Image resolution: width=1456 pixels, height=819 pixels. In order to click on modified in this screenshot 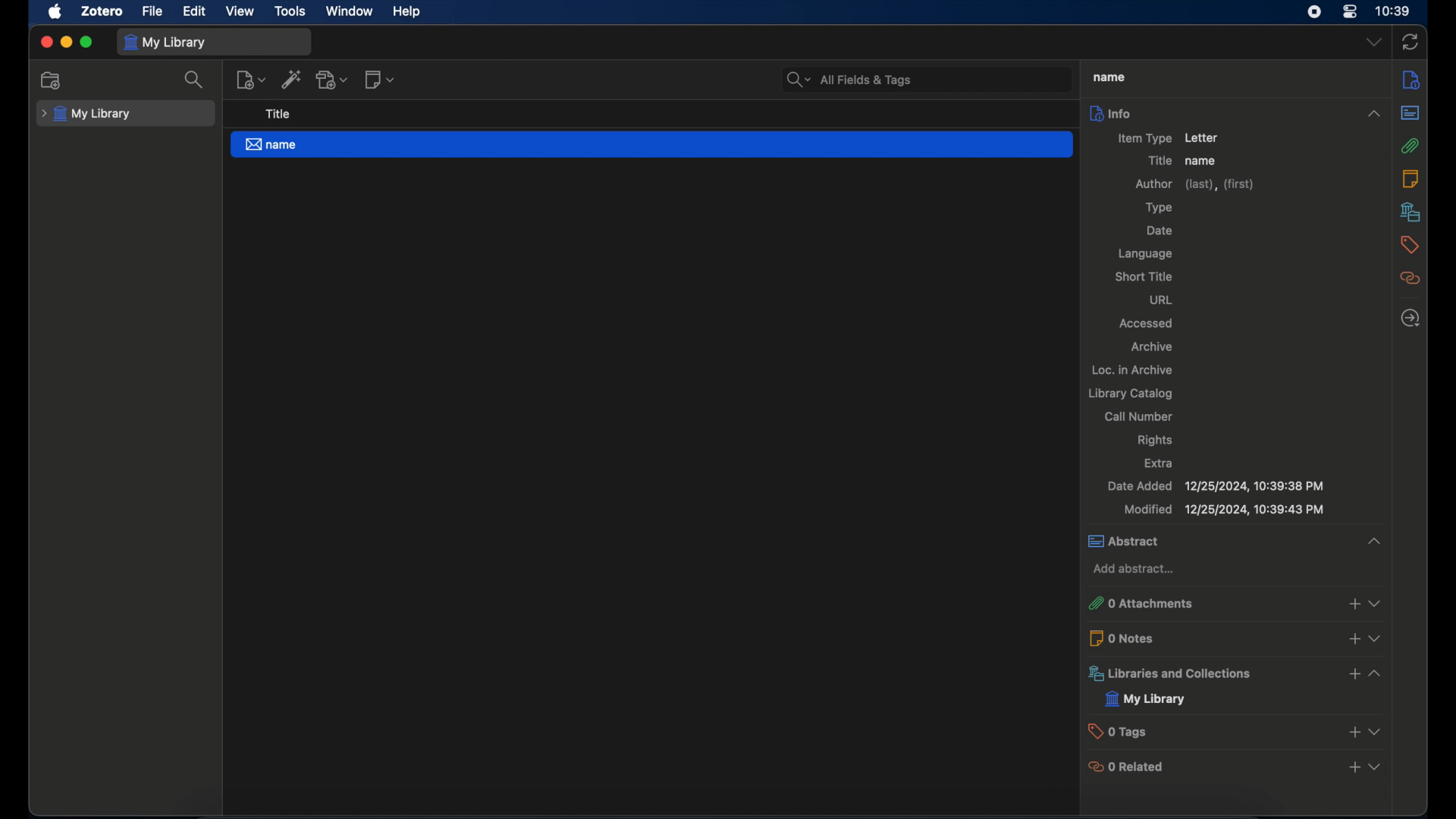, I will do `click(1225, 509)`.